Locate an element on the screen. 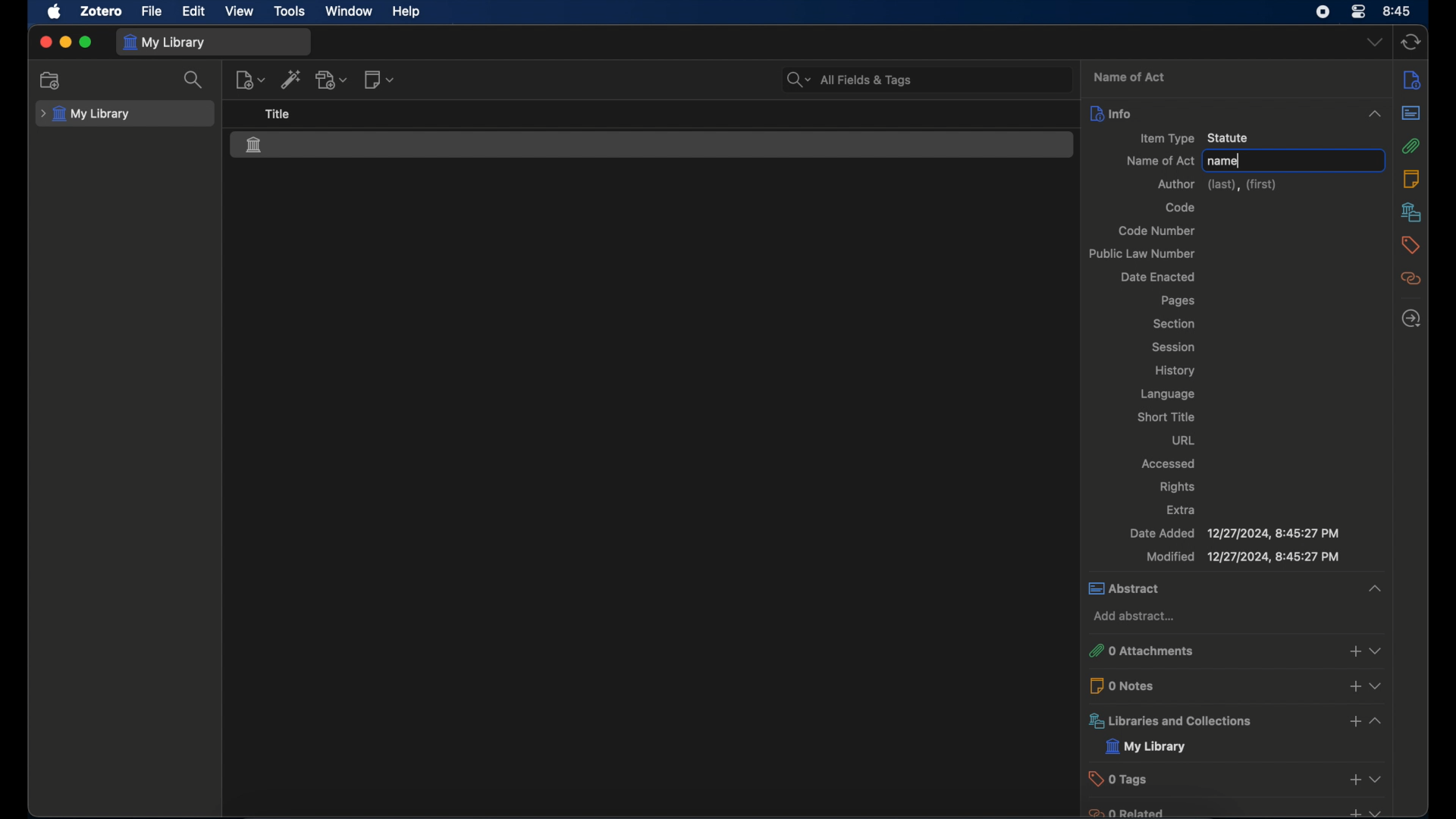  name is located at coordinates (1224, 162).